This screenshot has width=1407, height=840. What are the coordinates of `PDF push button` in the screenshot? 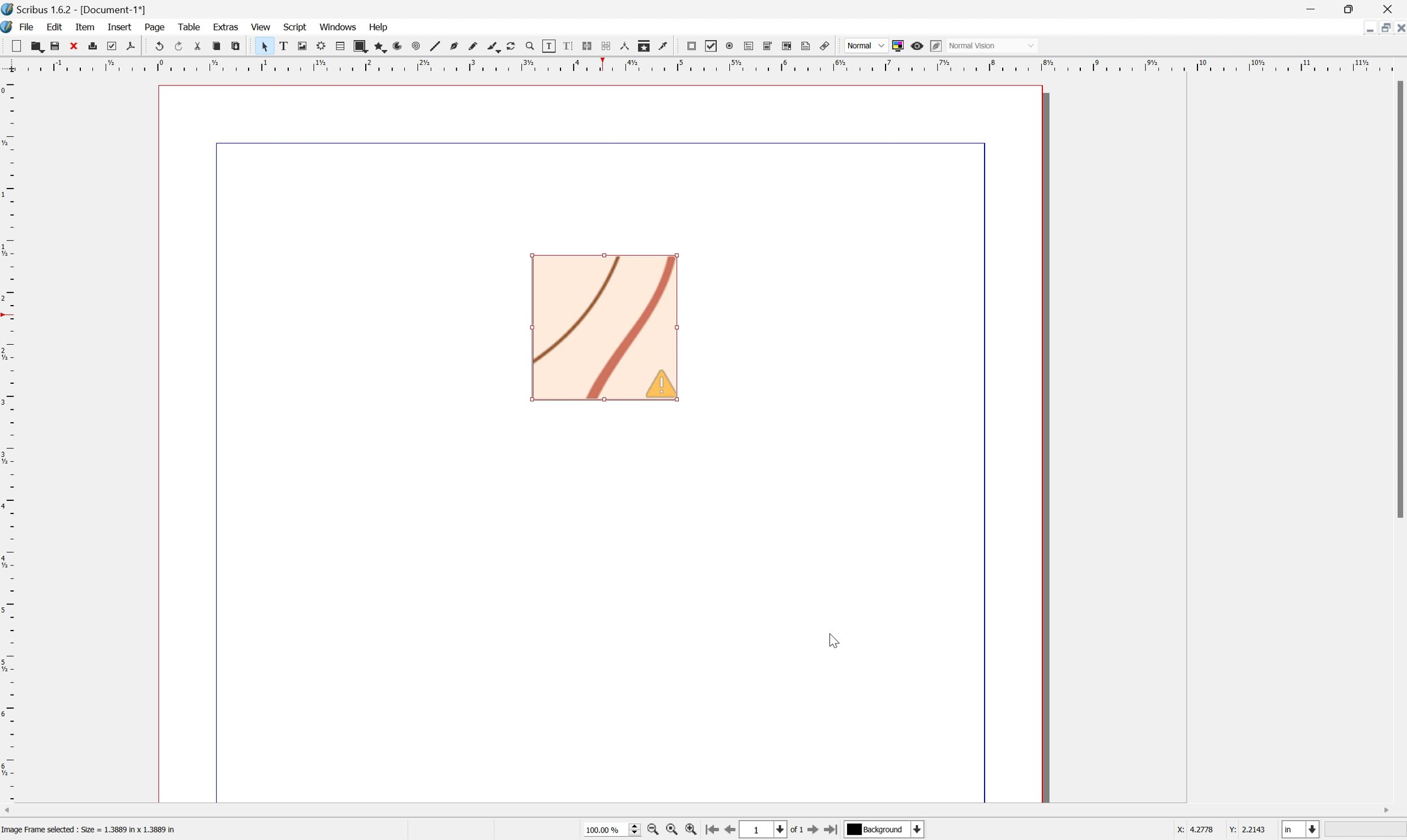 It's located at (693, 47).